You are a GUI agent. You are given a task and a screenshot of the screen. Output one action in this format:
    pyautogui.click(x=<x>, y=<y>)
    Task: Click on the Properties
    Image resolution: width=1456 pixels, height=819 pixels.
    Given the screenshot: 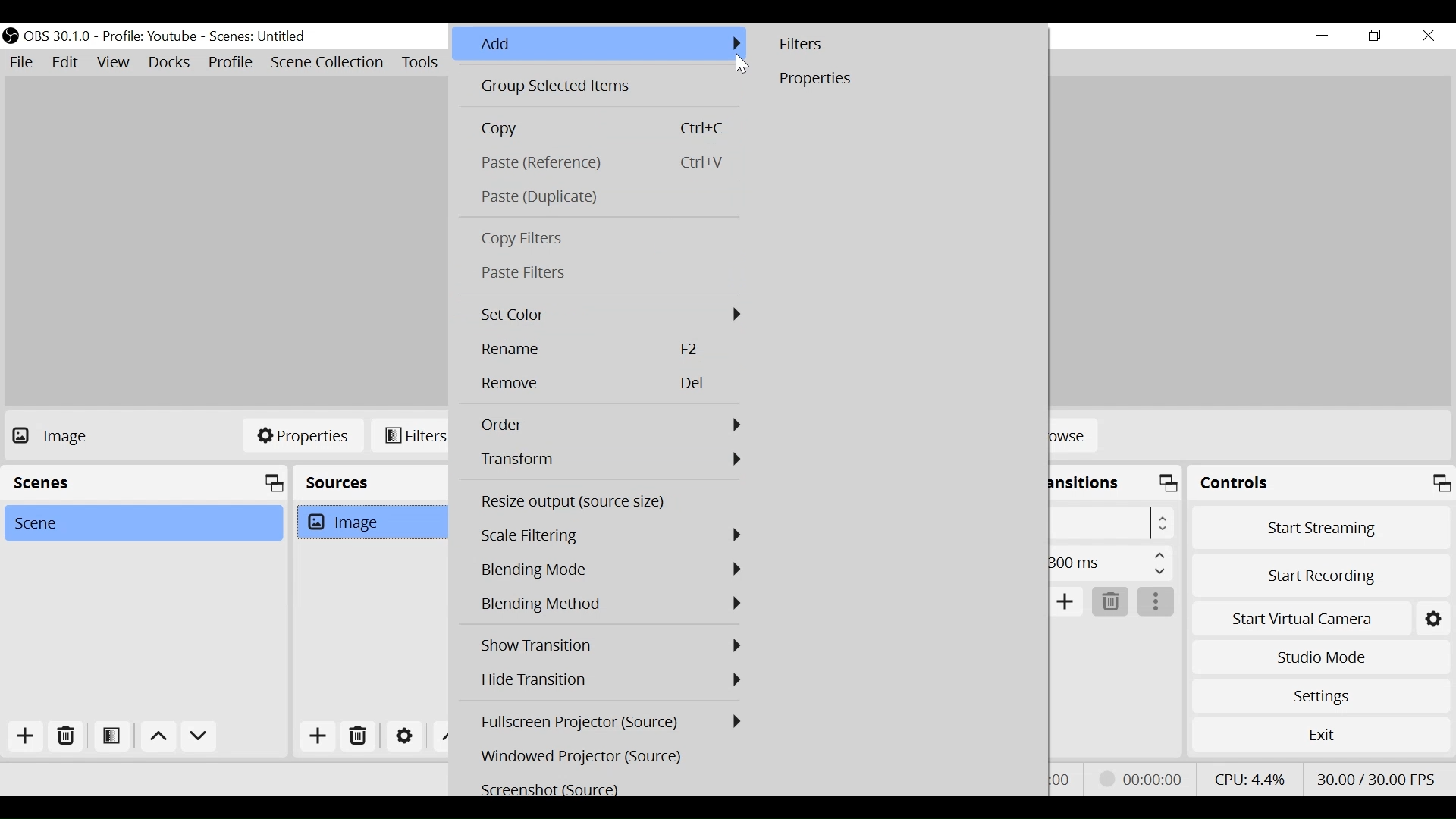 What is the action you would take?
    pyautogui.click(x=902, y=78)
    